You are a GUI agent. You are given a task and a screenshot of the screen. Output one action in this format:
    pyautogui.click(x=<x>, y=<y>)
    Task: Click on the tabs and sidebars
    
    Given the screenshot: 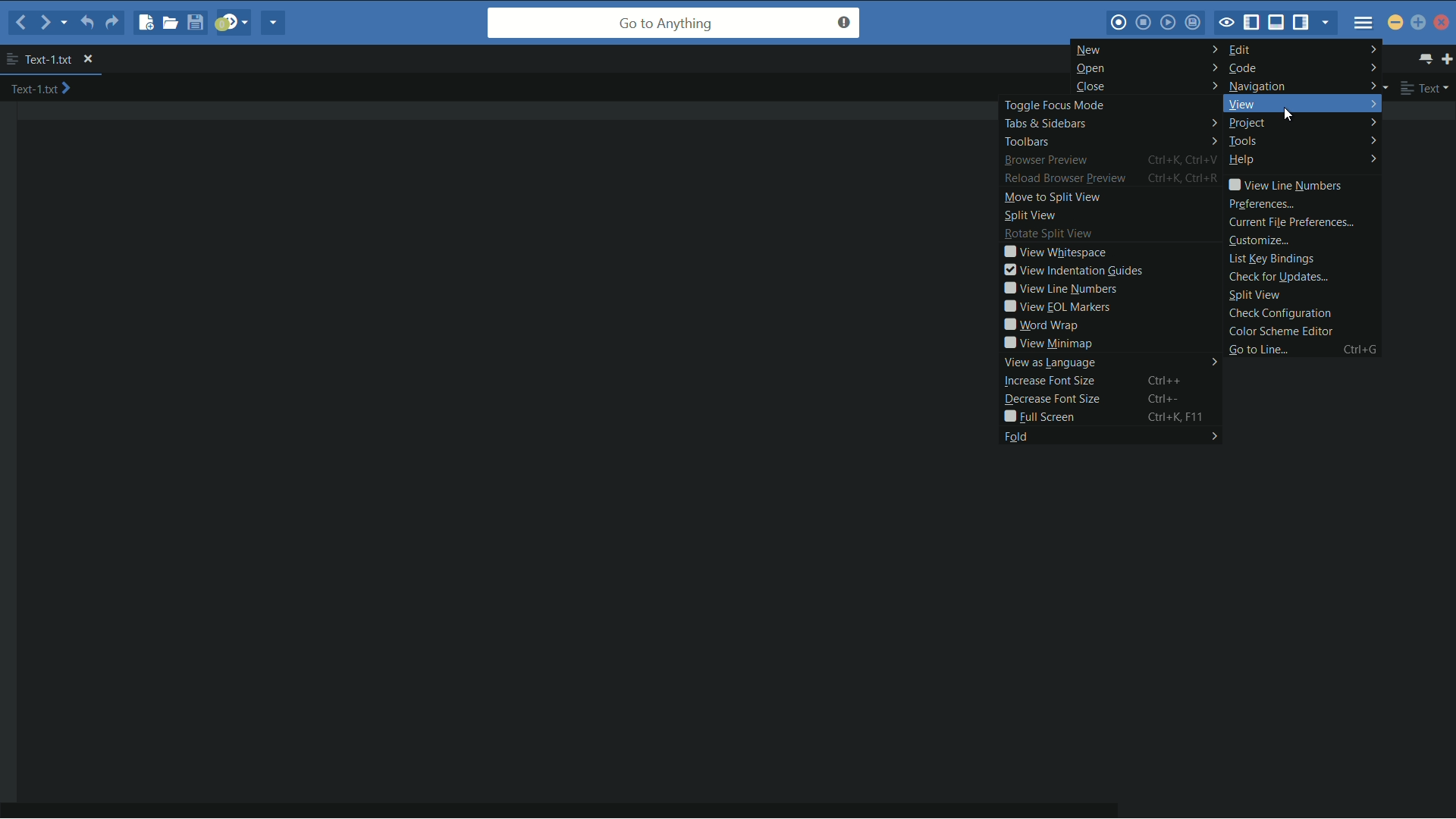 What is the action you would take?
    pyautogui.click(x=1109, y=124)
    